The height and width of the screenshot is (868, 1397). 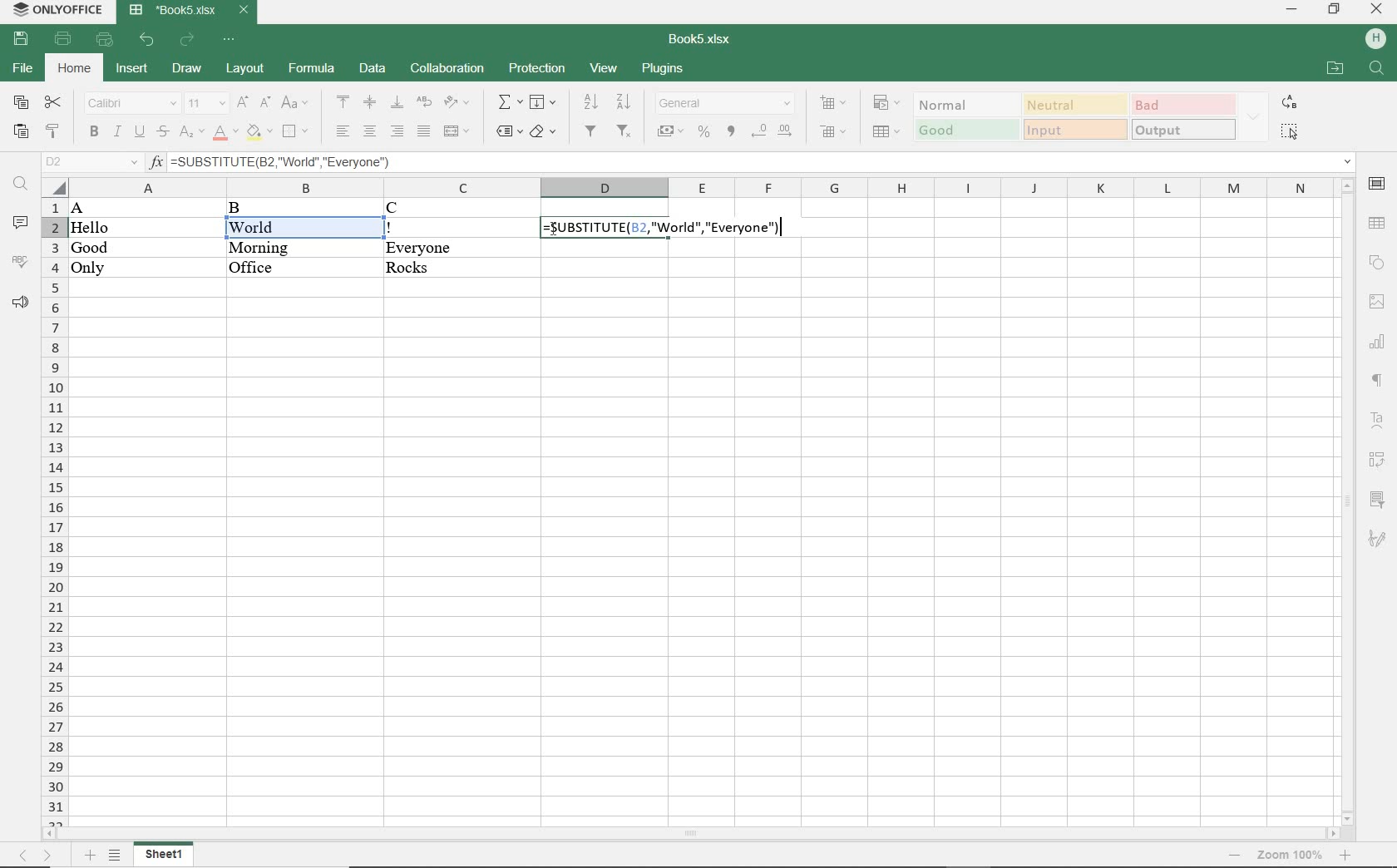 What do you see at coordinates (1288, 133) in the screenshot?
I see `select all` at bounding box center [1288, 133].